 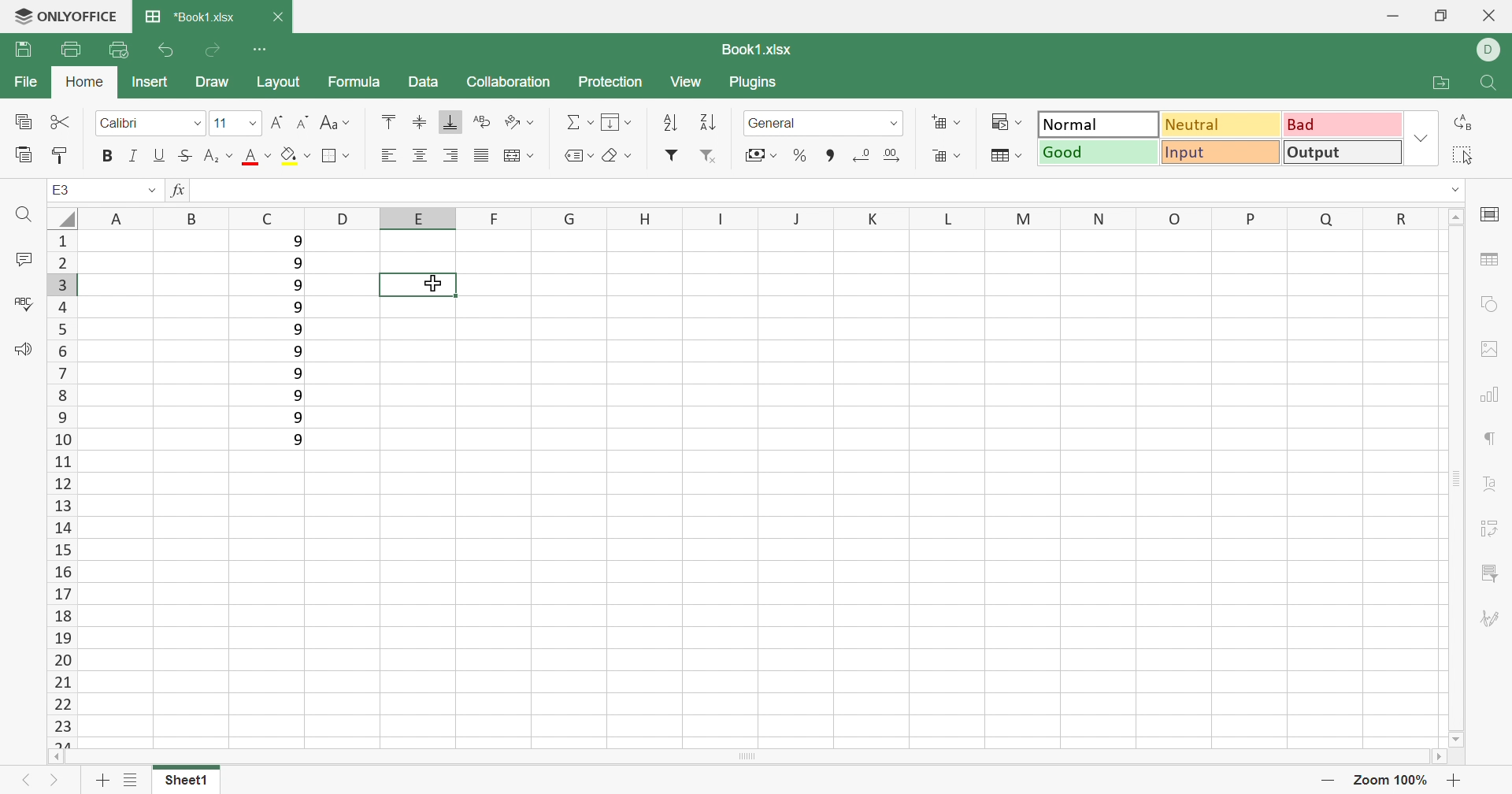 I want to click on 11, so click(x=218, y=120).